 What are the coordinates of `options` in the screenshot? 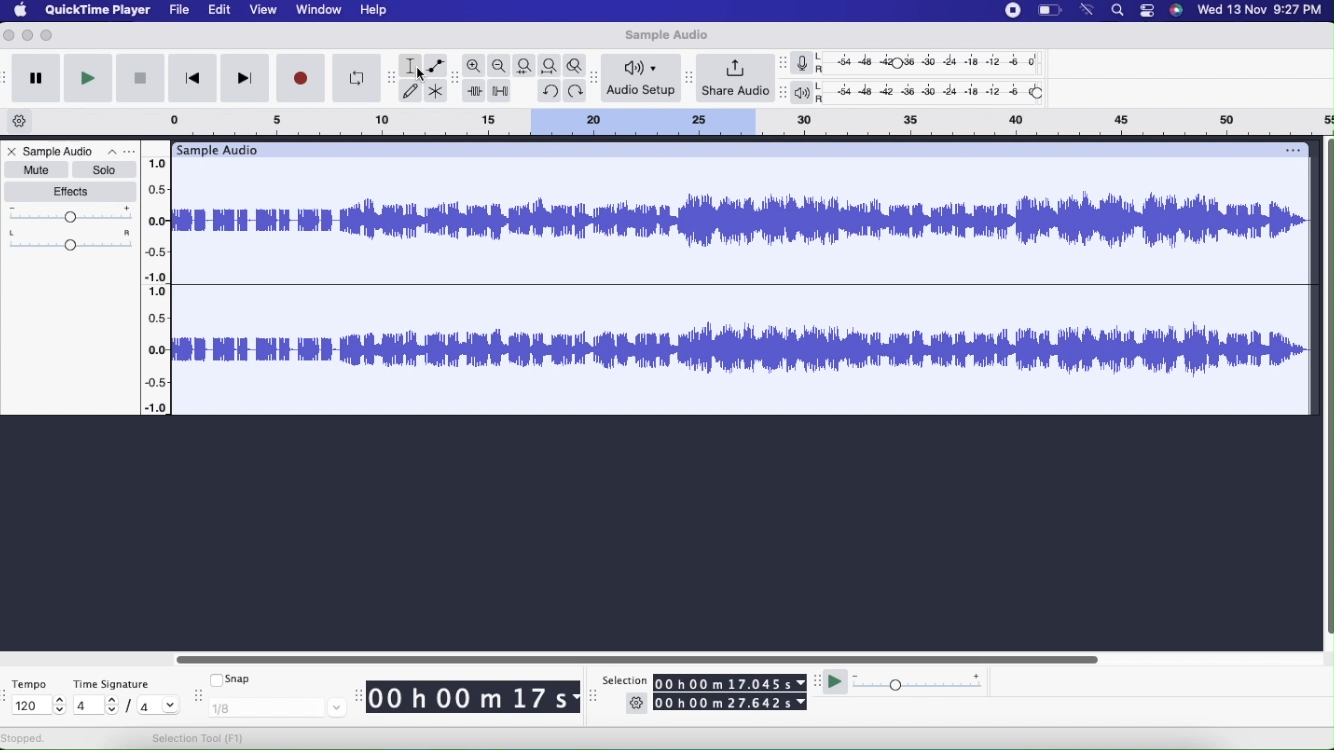 It's located at (1291, 149).